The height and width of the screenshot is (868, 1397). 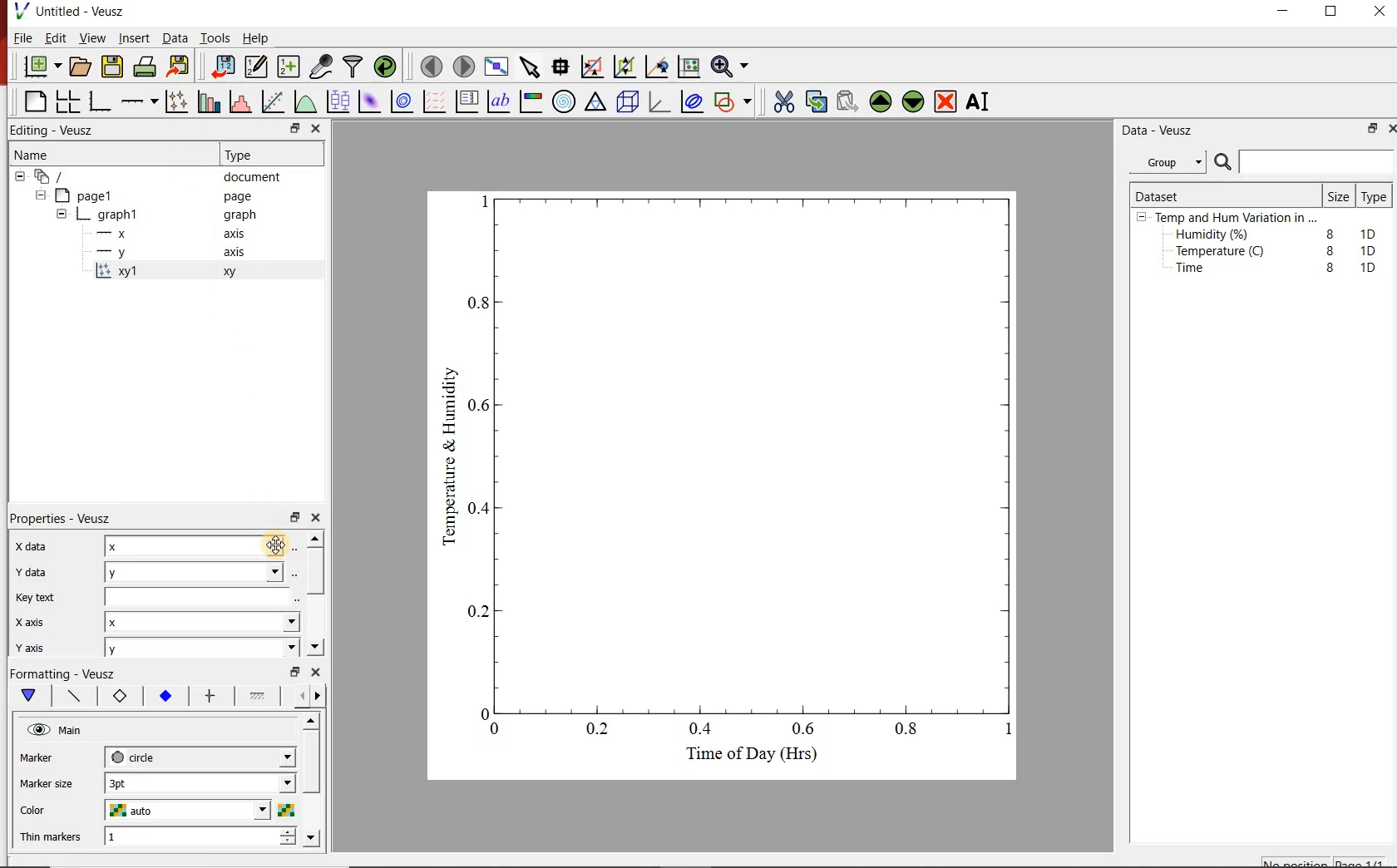 I want to click on arrange graphs in a grid, so click(x=70, y=99).